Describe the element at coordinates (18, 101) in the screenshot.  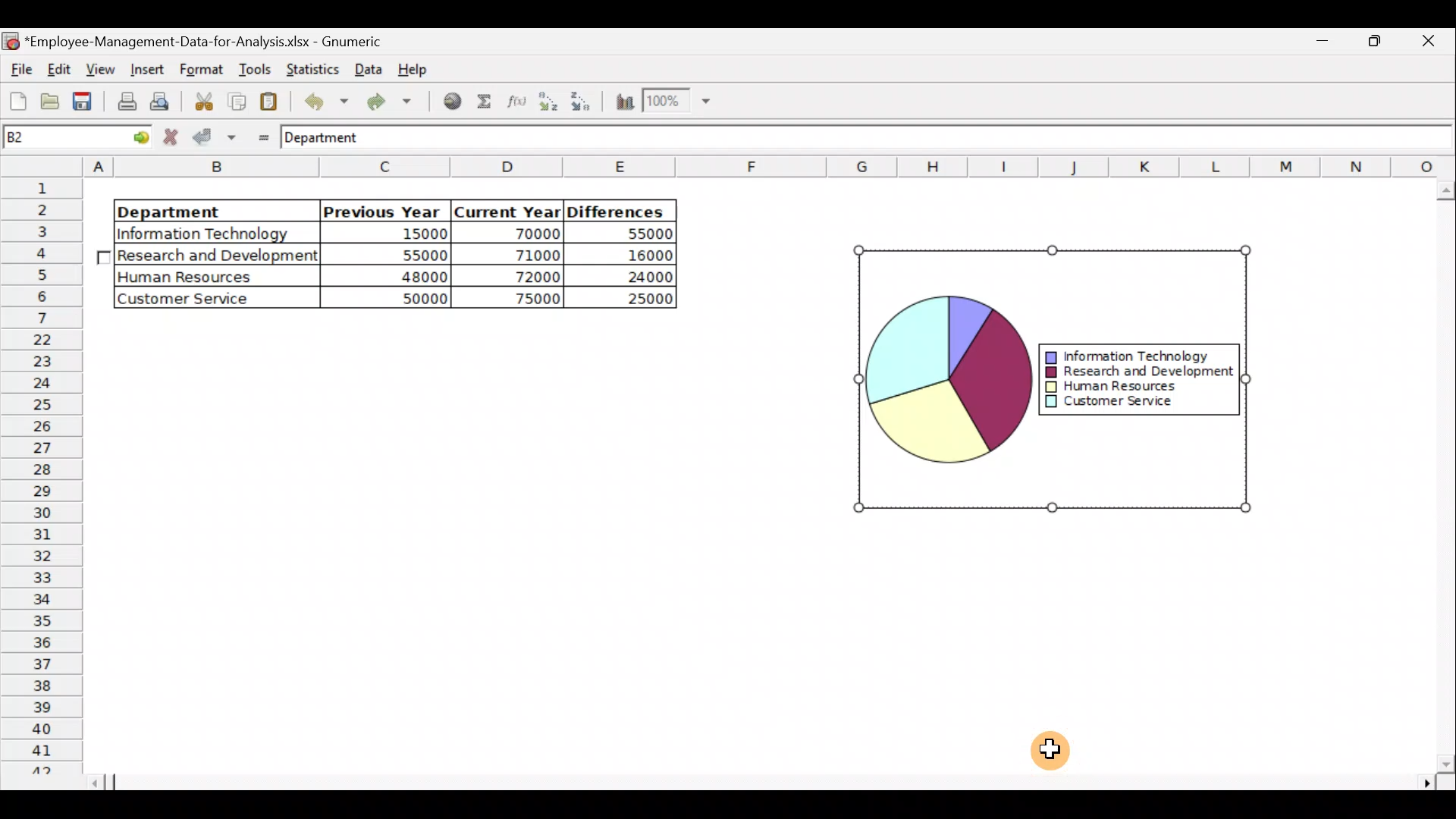
I see `Create a new workbook` at that location.